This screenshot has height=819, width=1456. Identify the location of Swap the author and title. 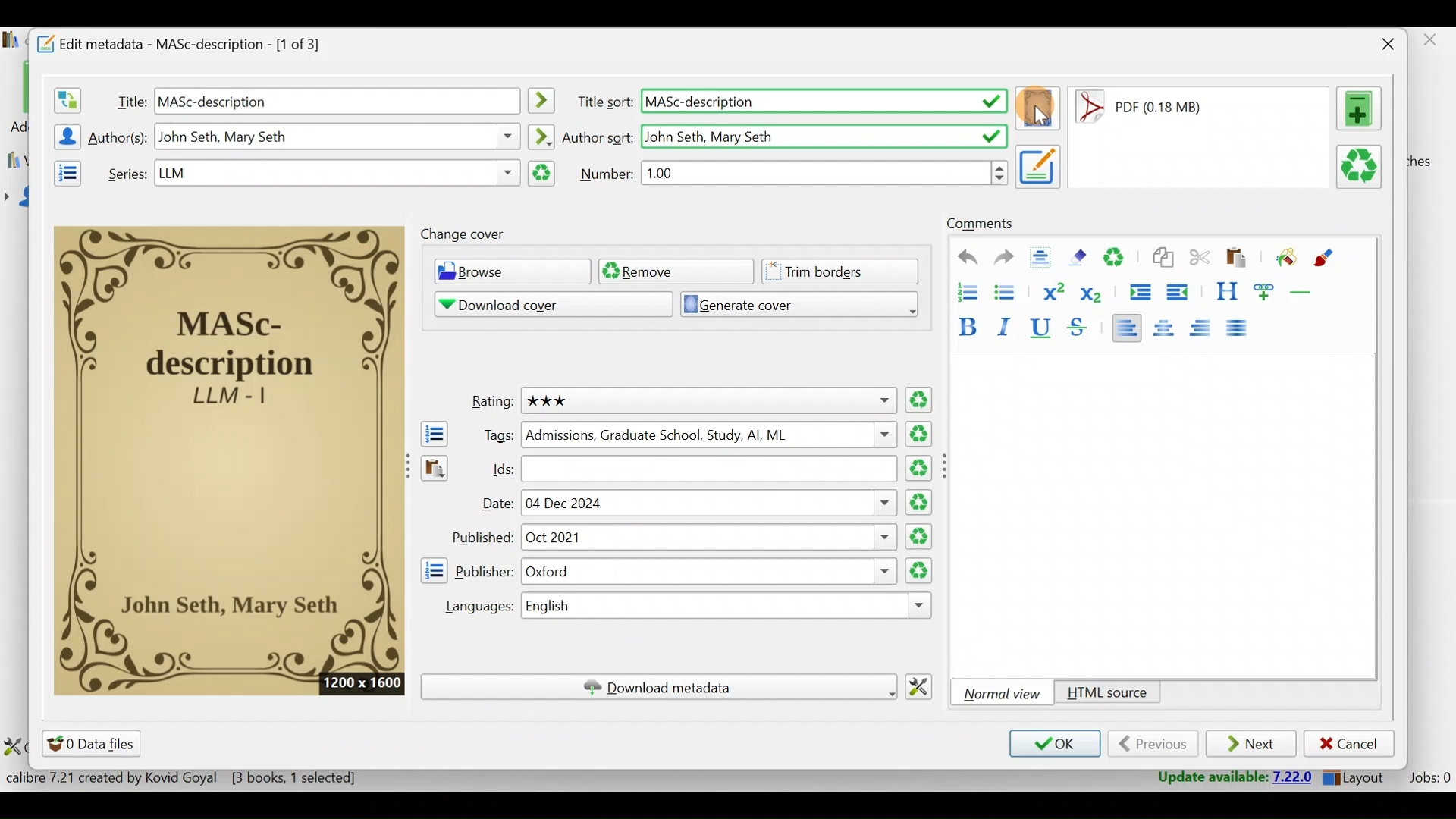
(66, 97).